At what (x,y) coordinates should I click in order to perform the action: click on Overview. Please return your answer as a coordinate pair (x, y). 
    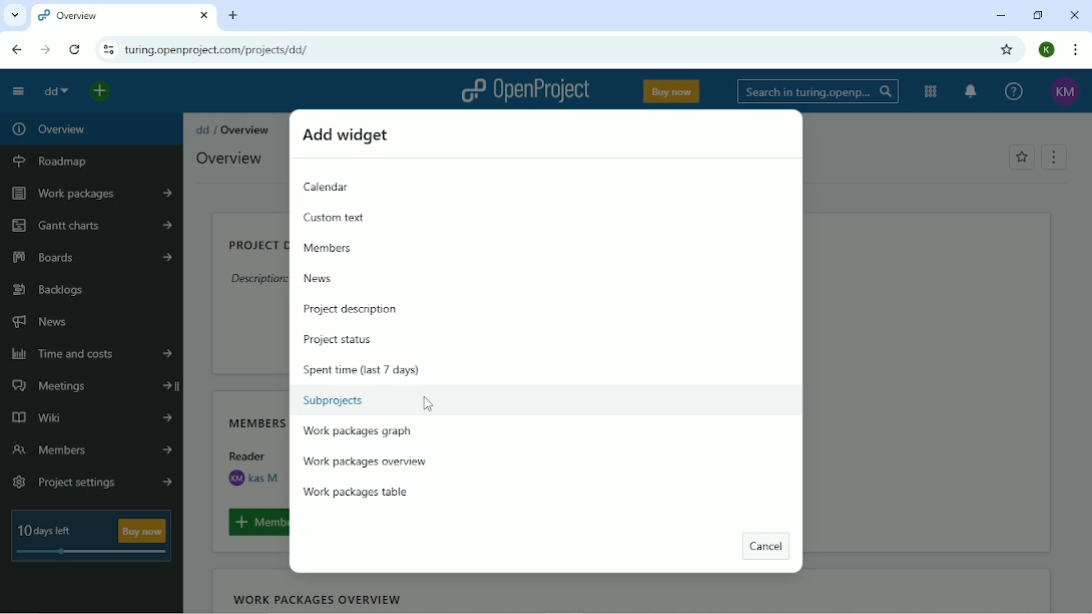
    Looking at the image, I should click on (49, 128).